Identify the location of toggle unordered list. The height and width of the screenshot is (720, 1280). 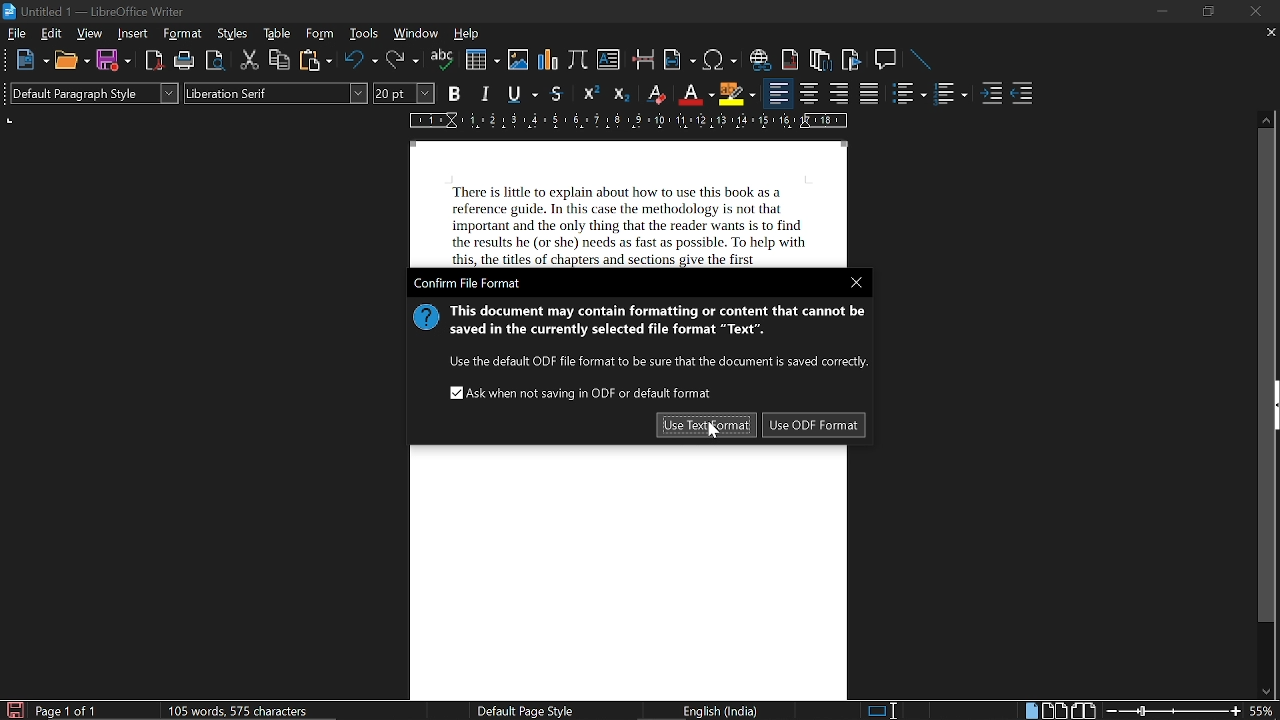
(950, 94).